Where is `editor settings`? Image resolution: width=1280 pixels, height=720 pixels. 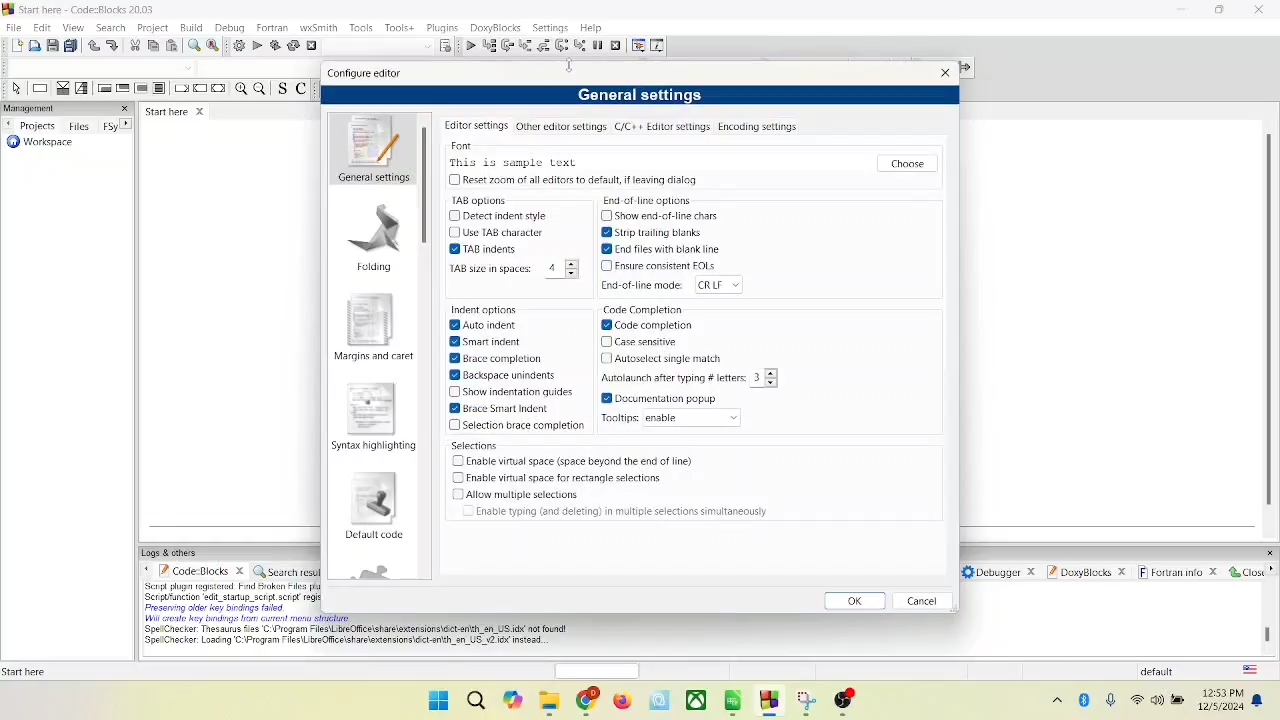 editor settings is located at coordinates (474, 126).